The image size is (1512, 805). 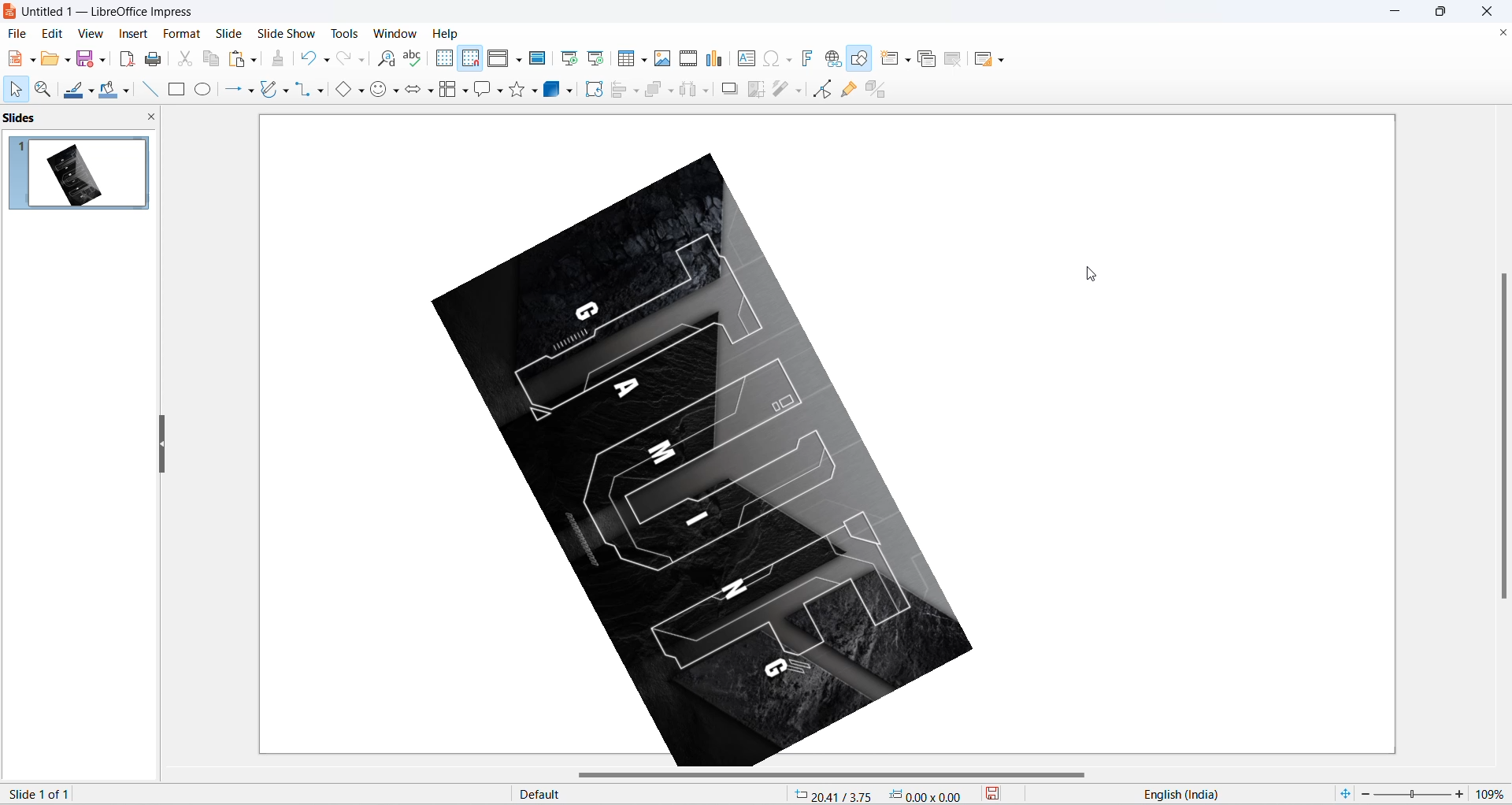 I want to click on symbol shapes, so click(x=380, y=92).